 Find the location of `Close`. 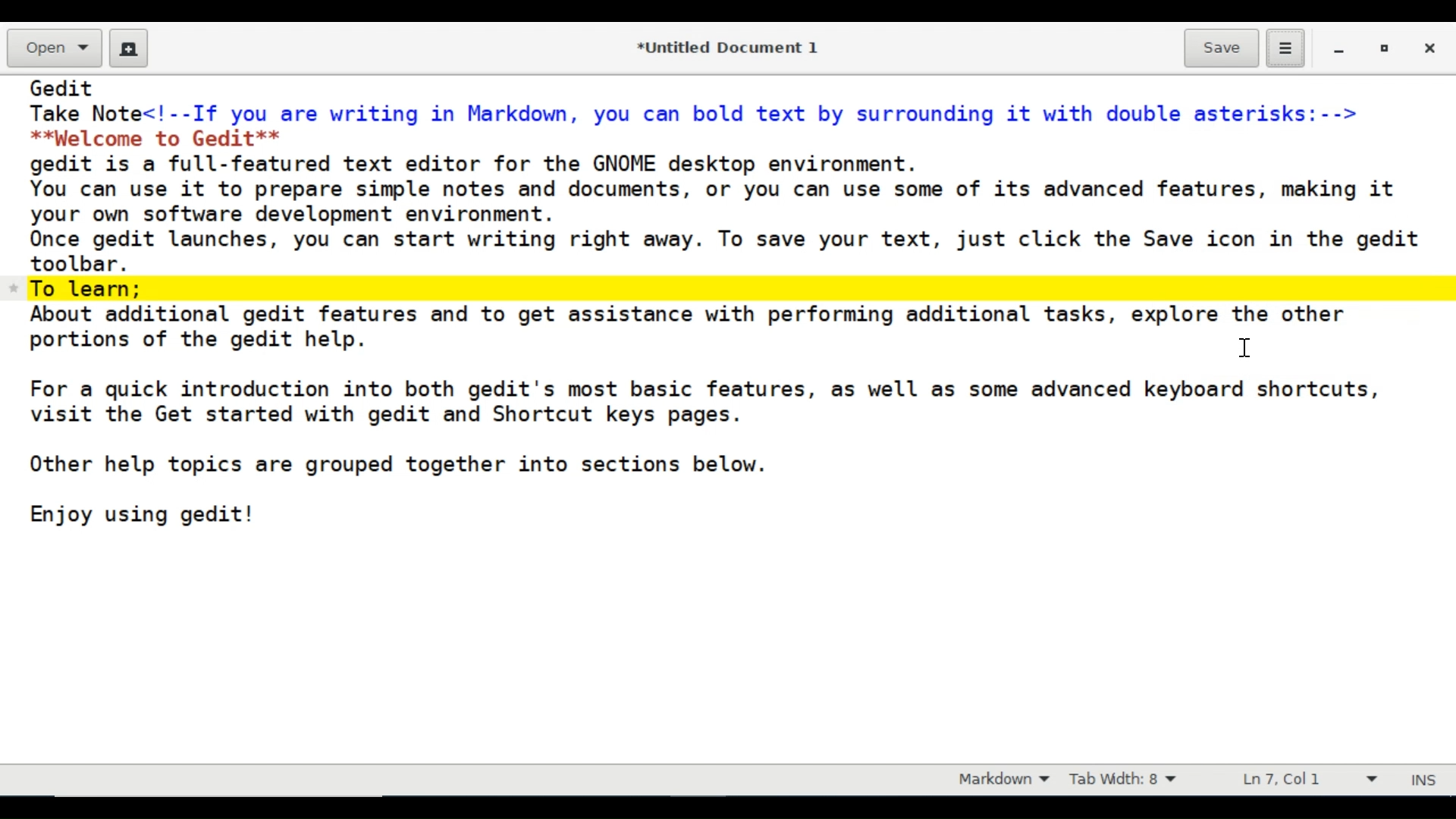

Close is located at coordinates (1428, 49).